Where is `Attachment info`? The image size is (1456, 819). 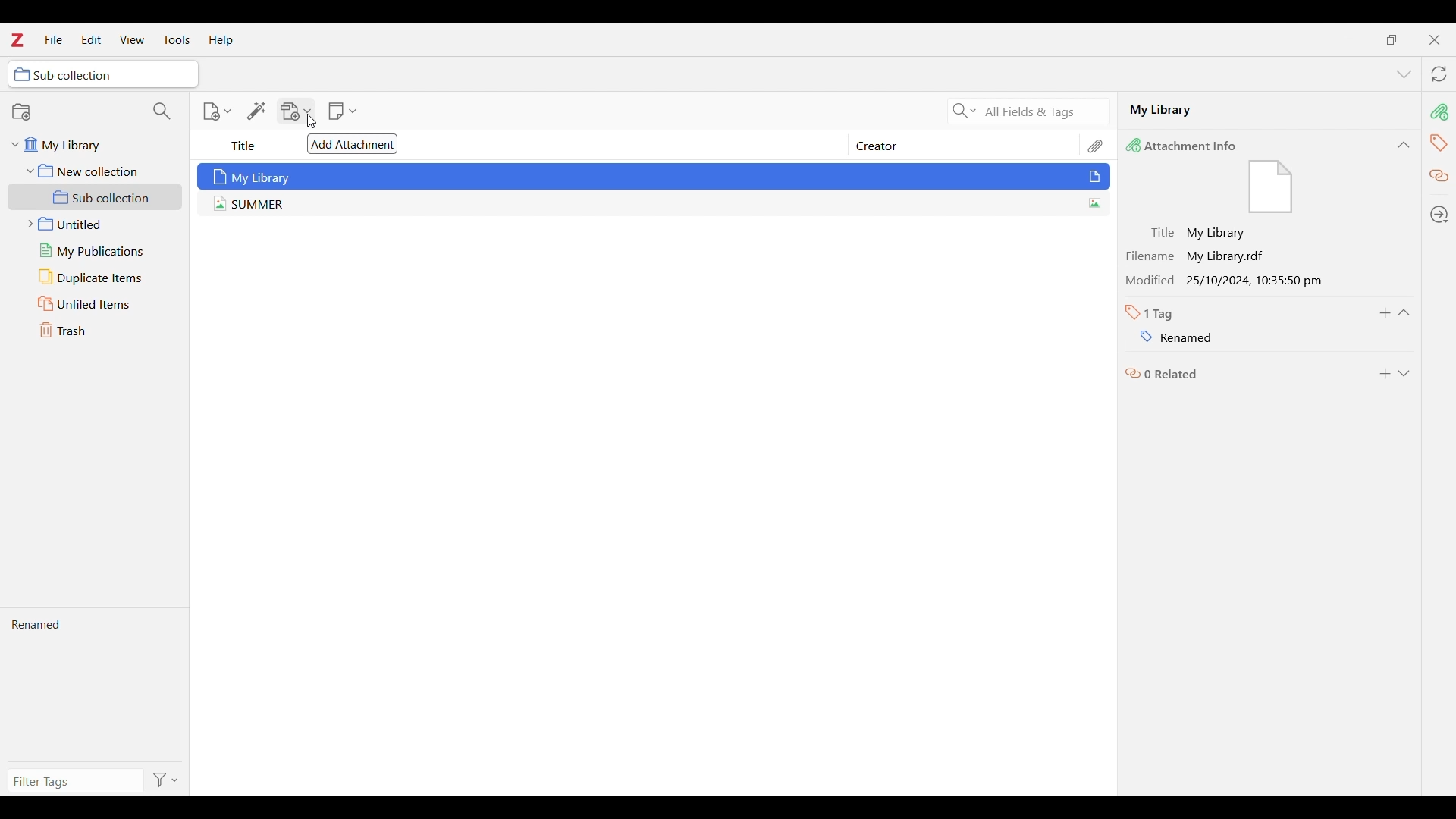 Attachment info is located at coordinates (1439, 112).